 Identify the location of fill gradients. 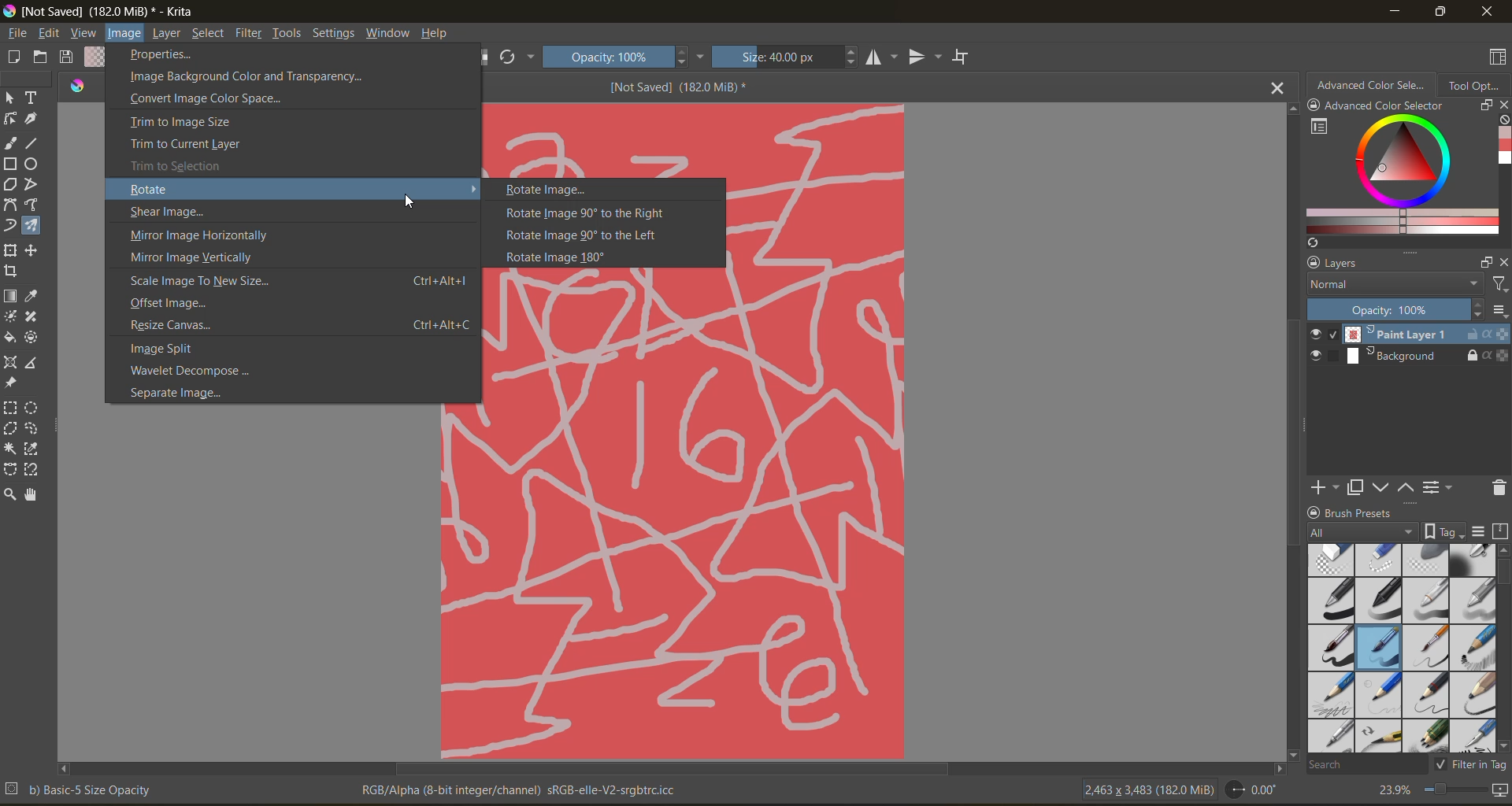
(98, 57).